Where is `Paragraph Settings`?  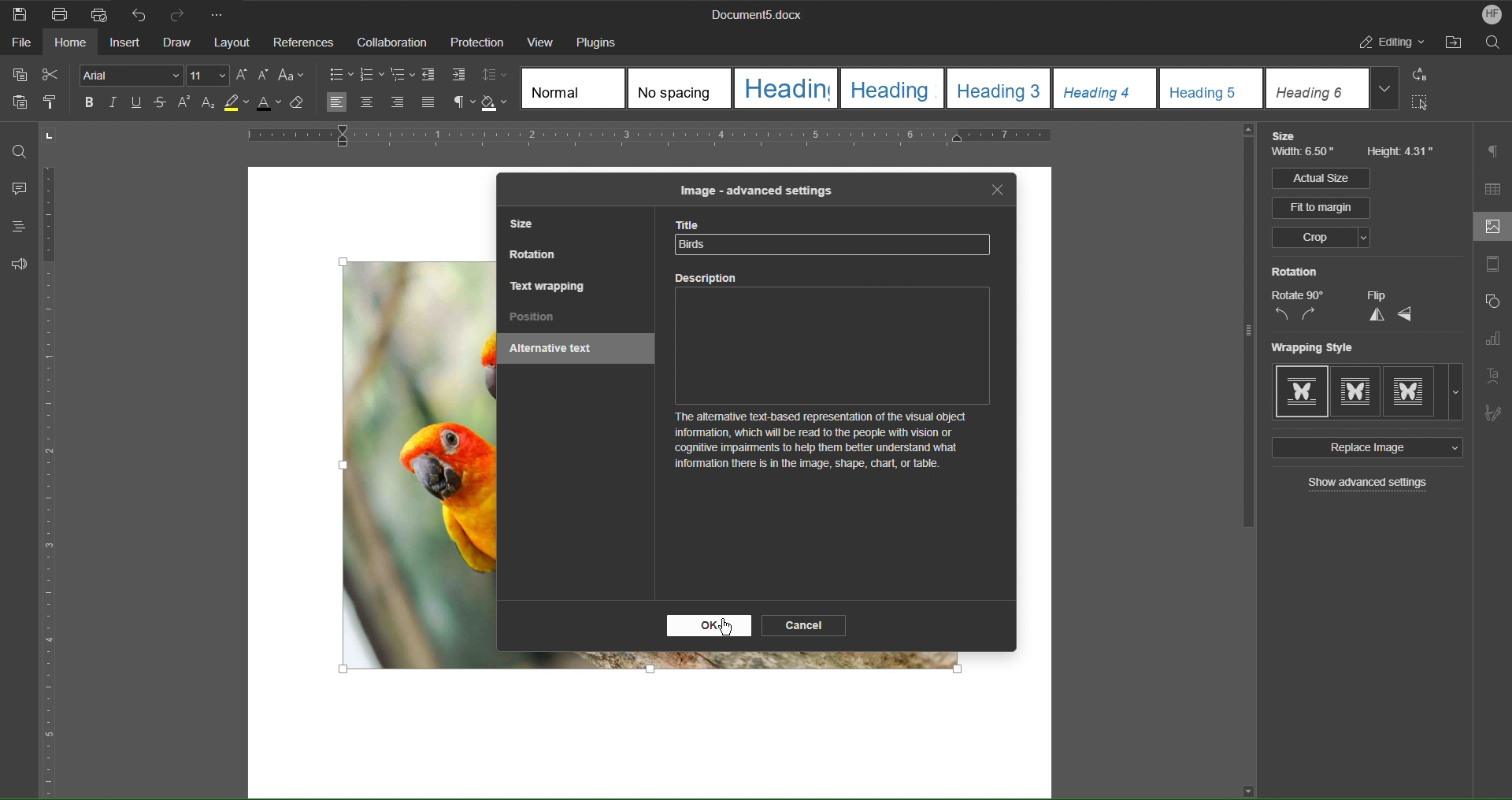
Paragraph Settings is located at coordinates (1495, 151).